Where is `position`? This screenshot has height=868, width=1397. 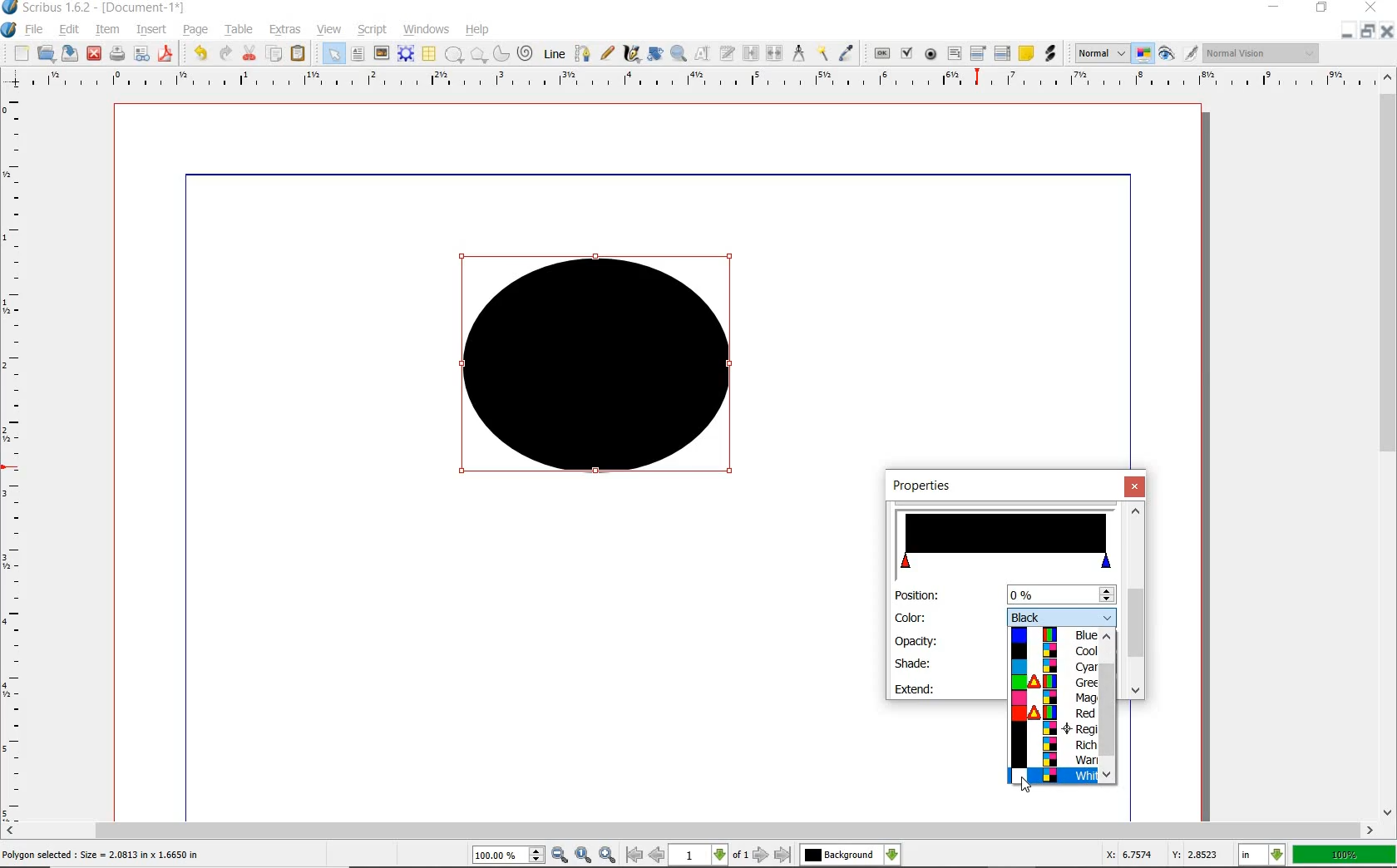 position is located at coordinates (916, 596).